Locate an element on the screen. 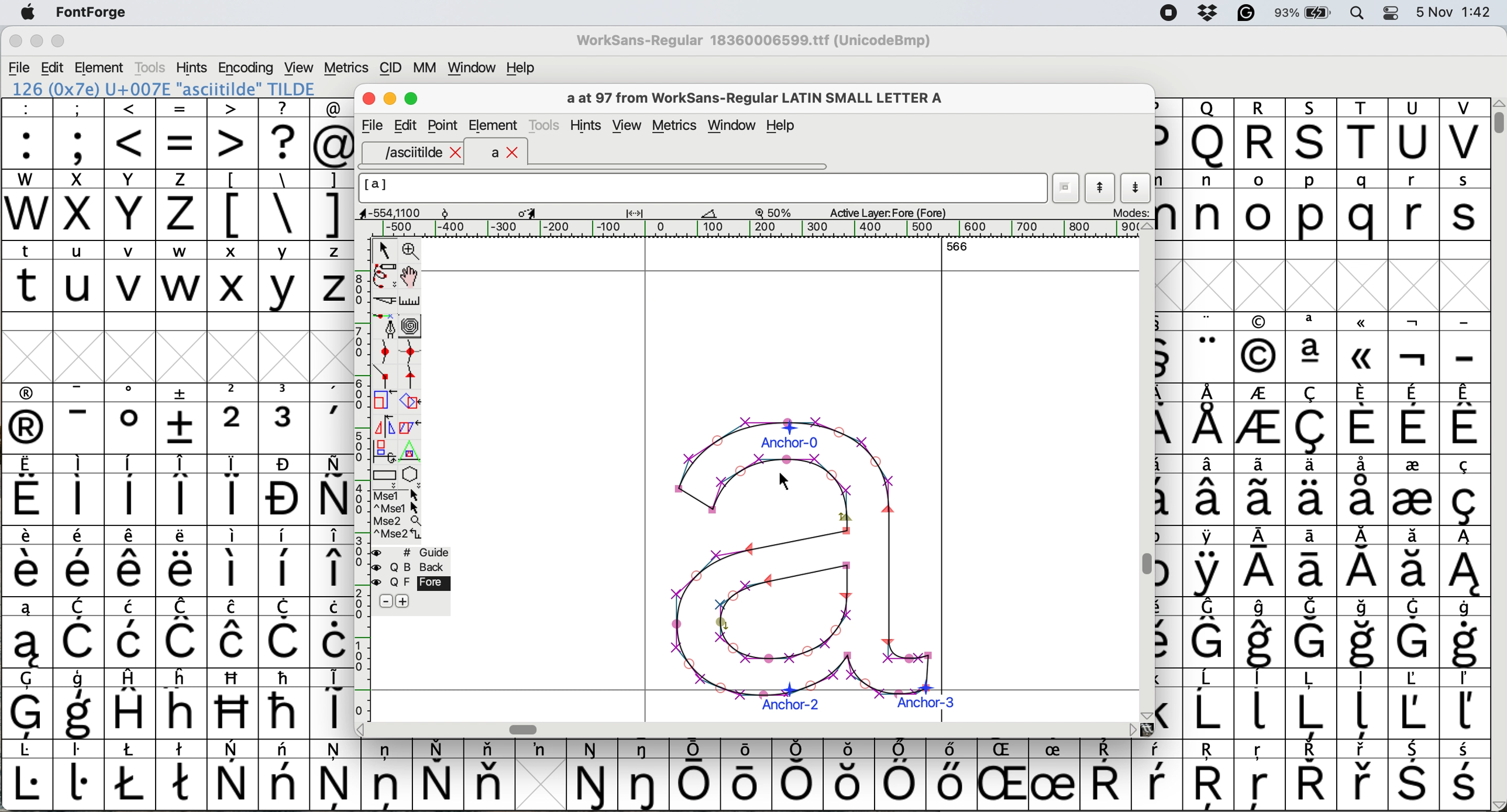 The width and height of the screenshot is (1507, 812). symbol is located at coordinates (1464, 562).